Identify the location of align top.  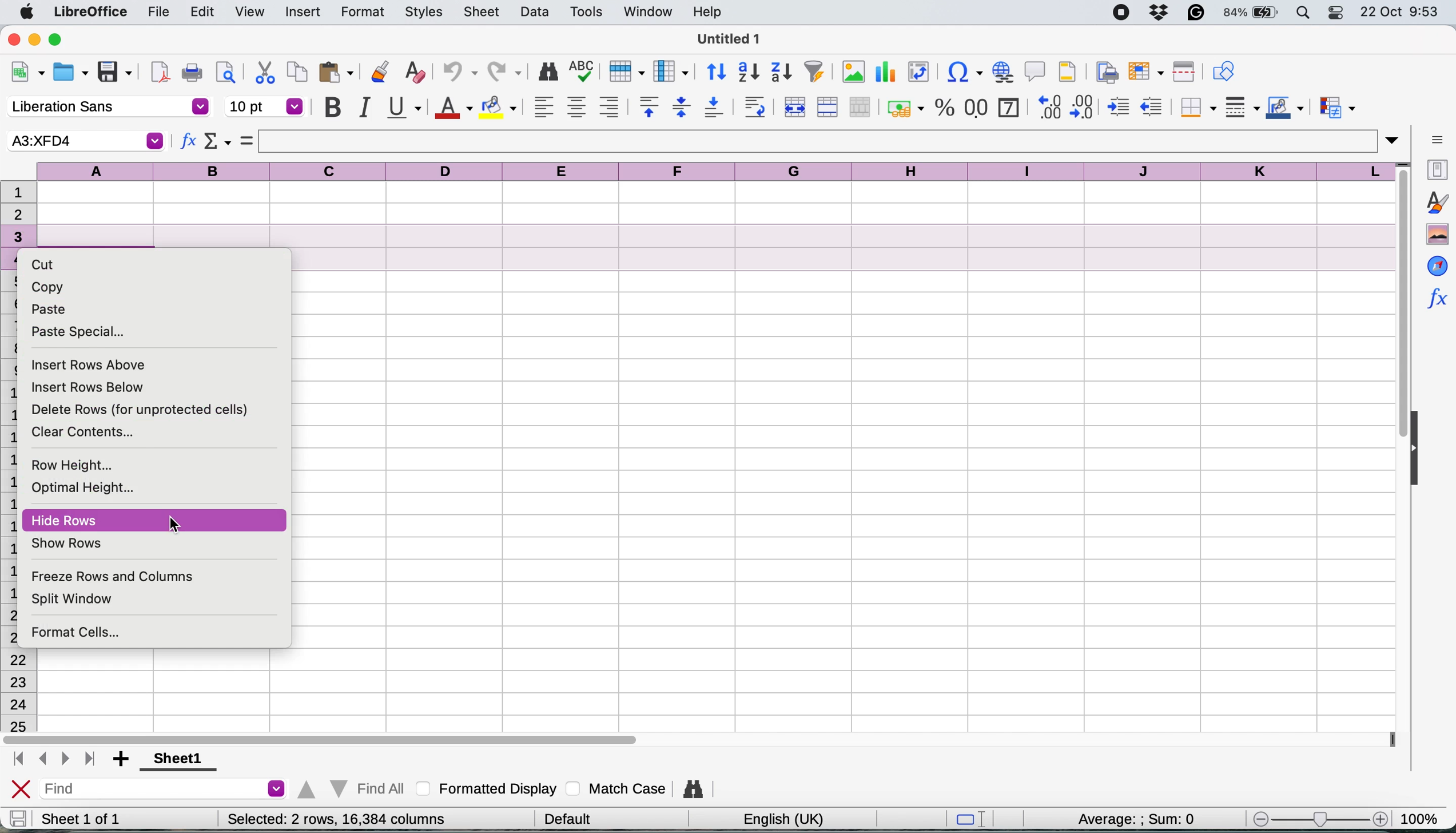
(649, 106).